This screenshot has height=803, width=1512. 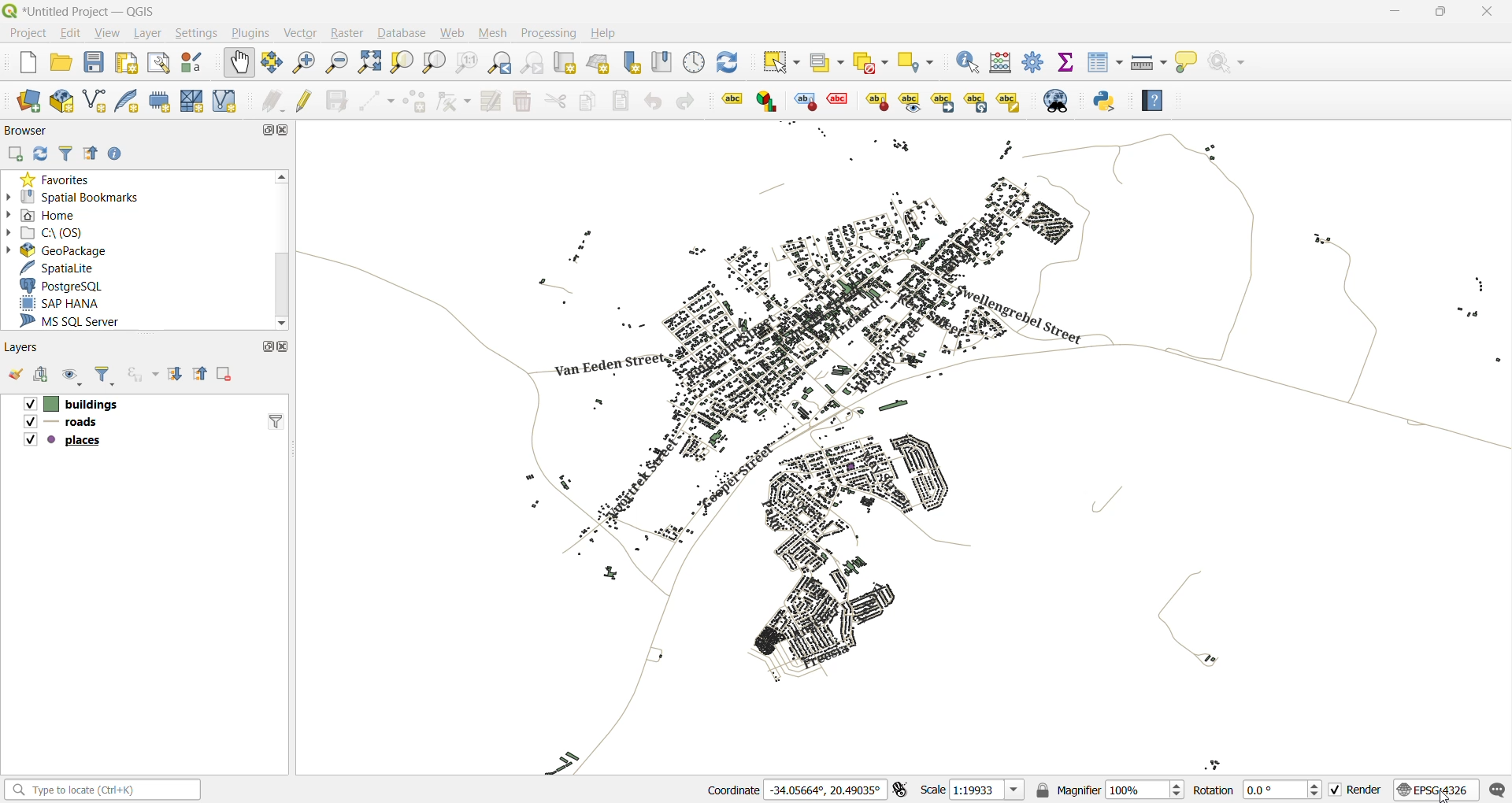 I want to click on digitize, so click(x=372, y=101).